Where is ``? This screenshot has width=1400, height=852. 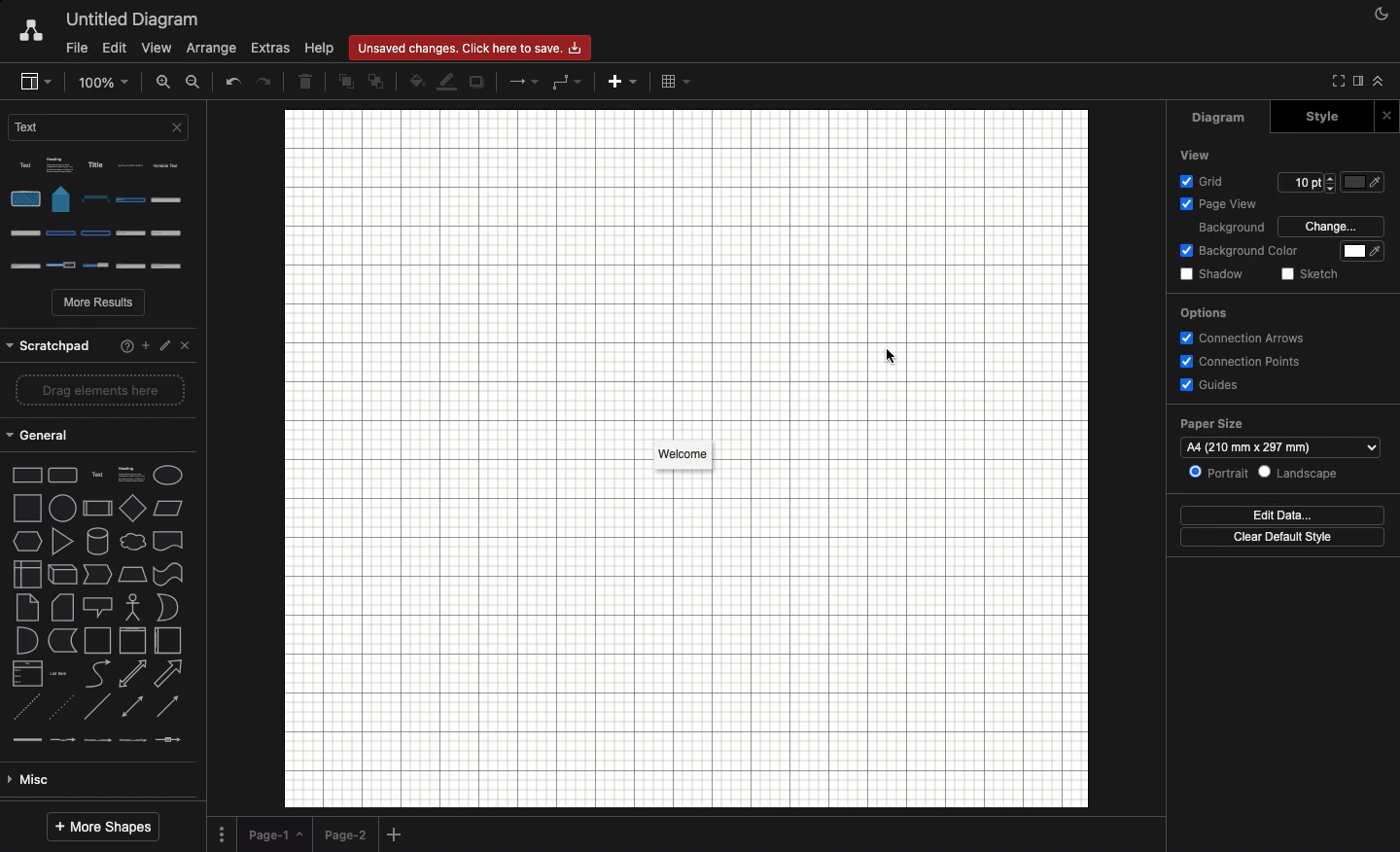
 is located at coordinates (1277, 444).